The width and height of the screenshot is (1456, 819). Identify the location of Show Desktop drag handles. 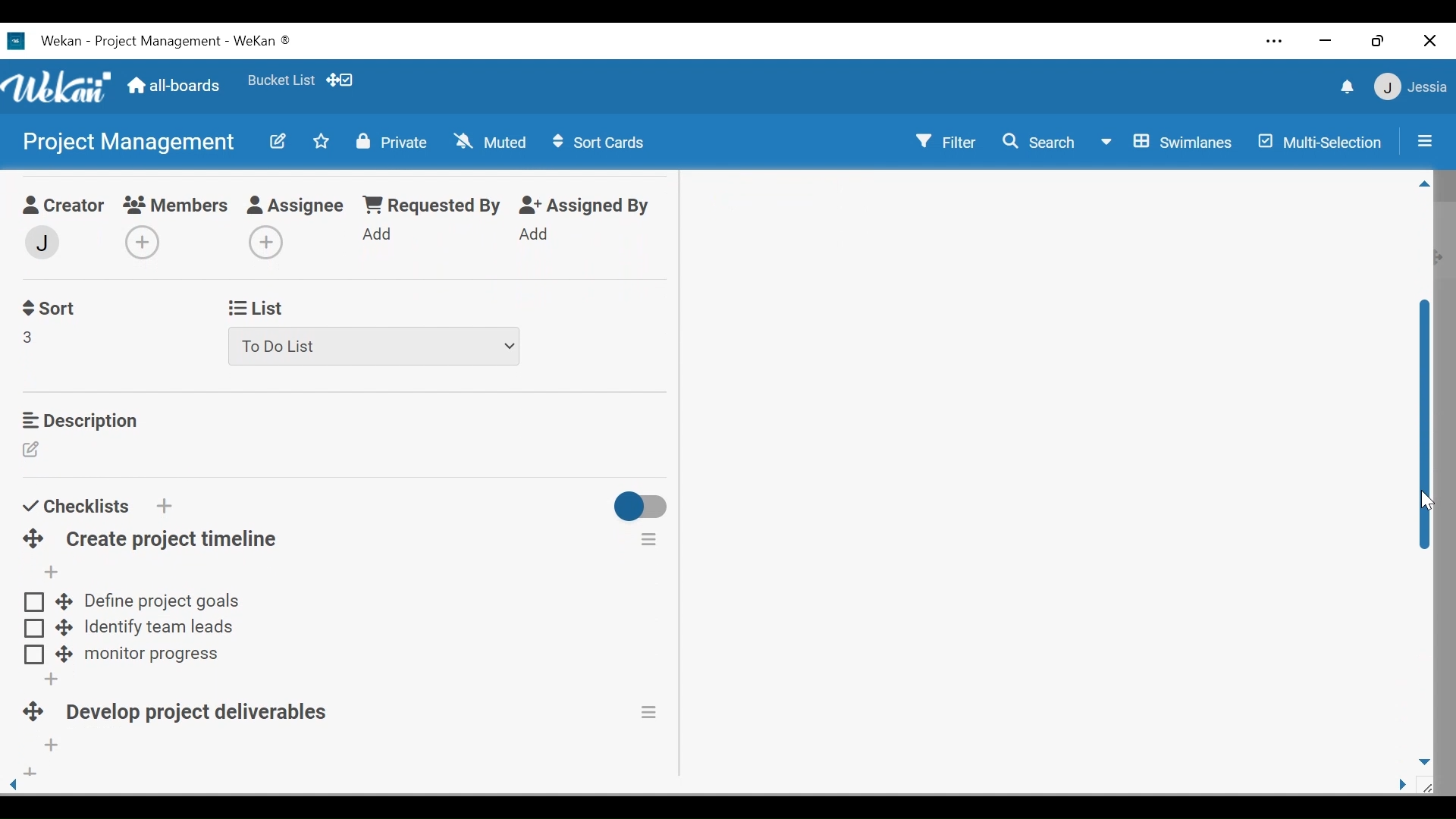
(340, 80).